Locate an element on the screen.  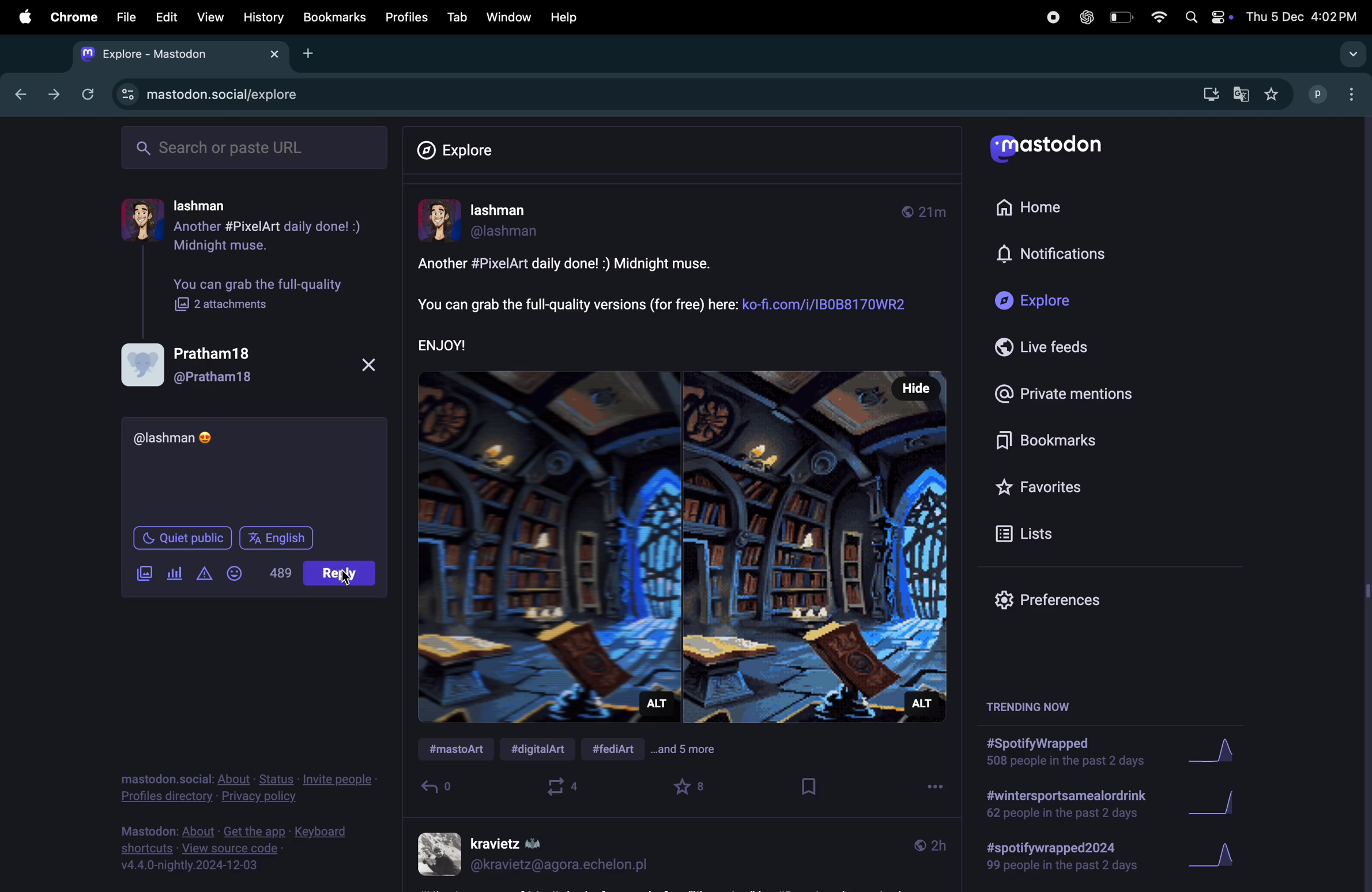
user profile is located at coordinates (536, 855).